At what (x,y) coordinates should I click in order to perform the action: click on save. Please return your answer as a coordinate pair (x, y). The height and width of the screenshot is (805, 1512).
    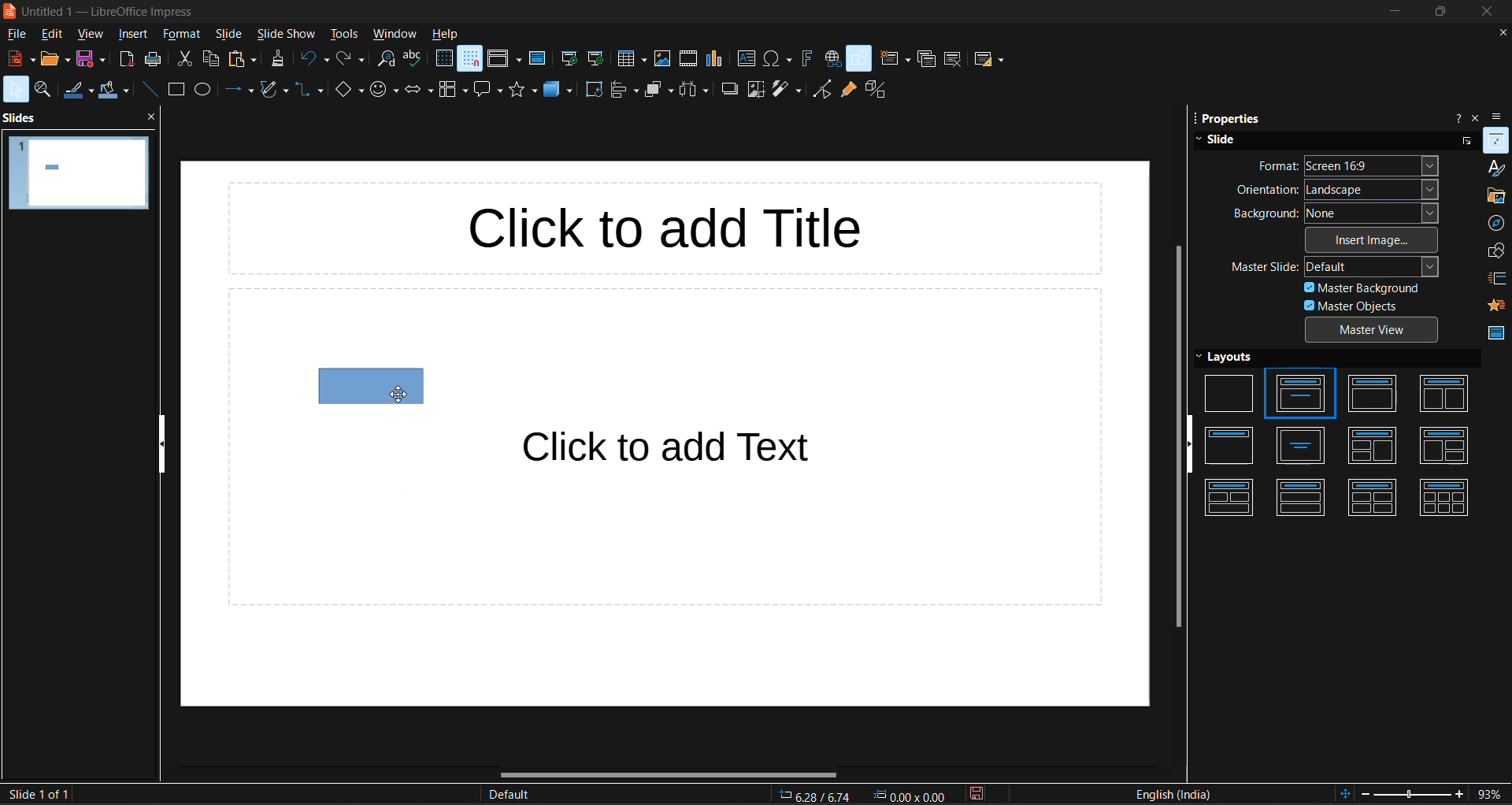
    Looking at the image, I should click on (92, 59).